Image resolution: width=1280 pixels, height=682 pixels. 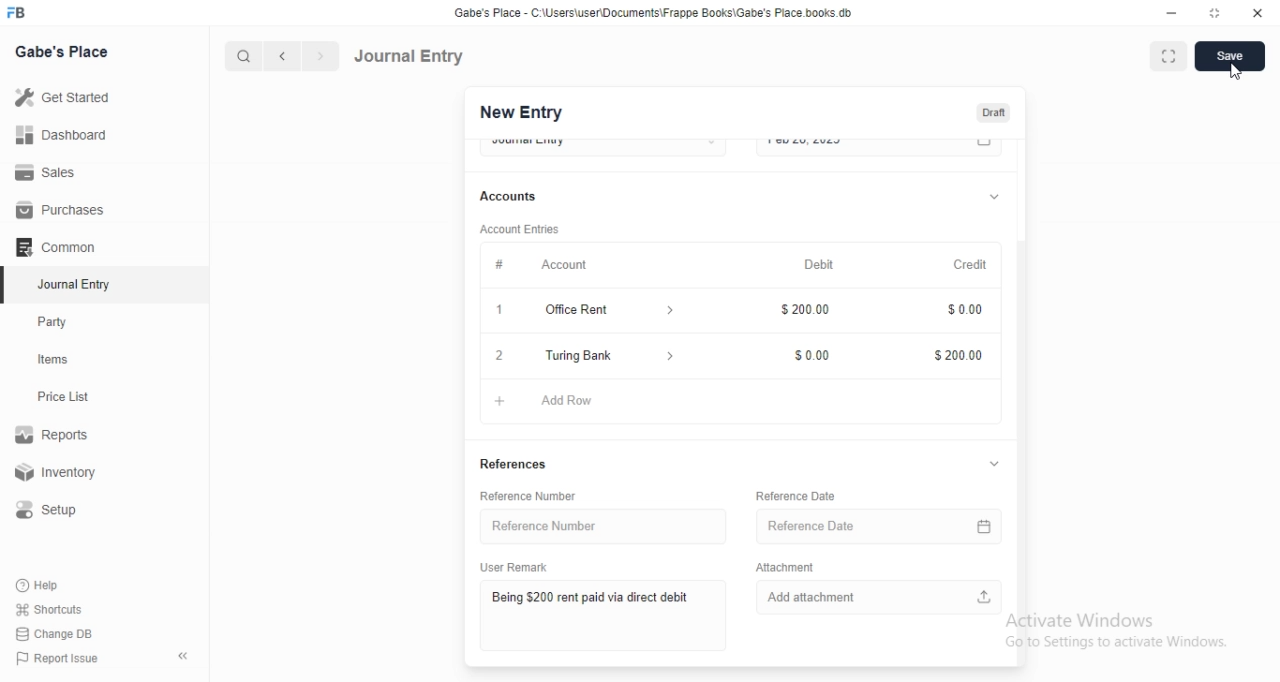 What do you see at coordinates (510, 566) in the screenshot?
I see `User Remark.` at bounding box center [510, 566].